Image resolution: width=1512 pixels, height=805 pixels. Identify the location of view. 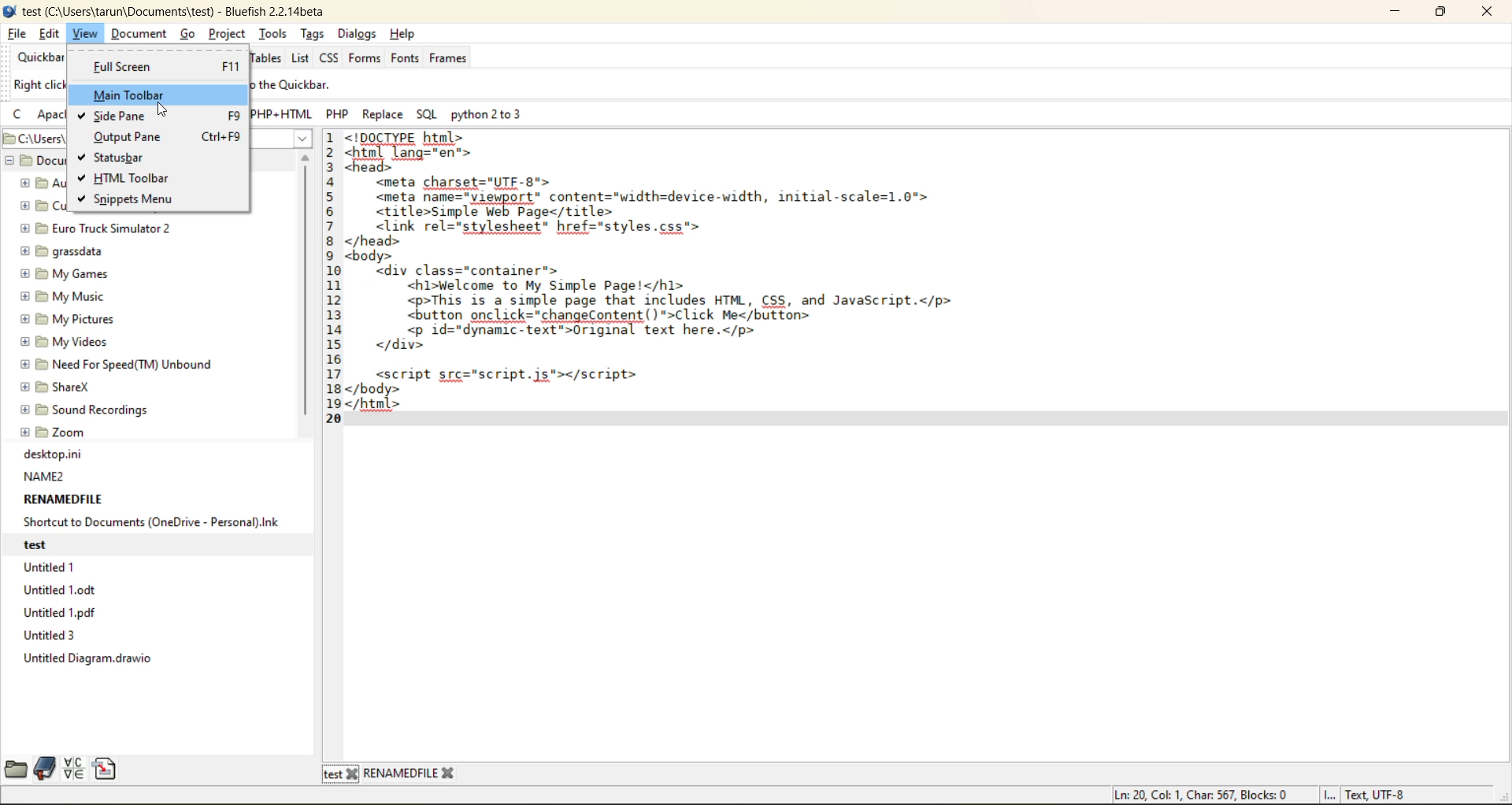
(83, 35).